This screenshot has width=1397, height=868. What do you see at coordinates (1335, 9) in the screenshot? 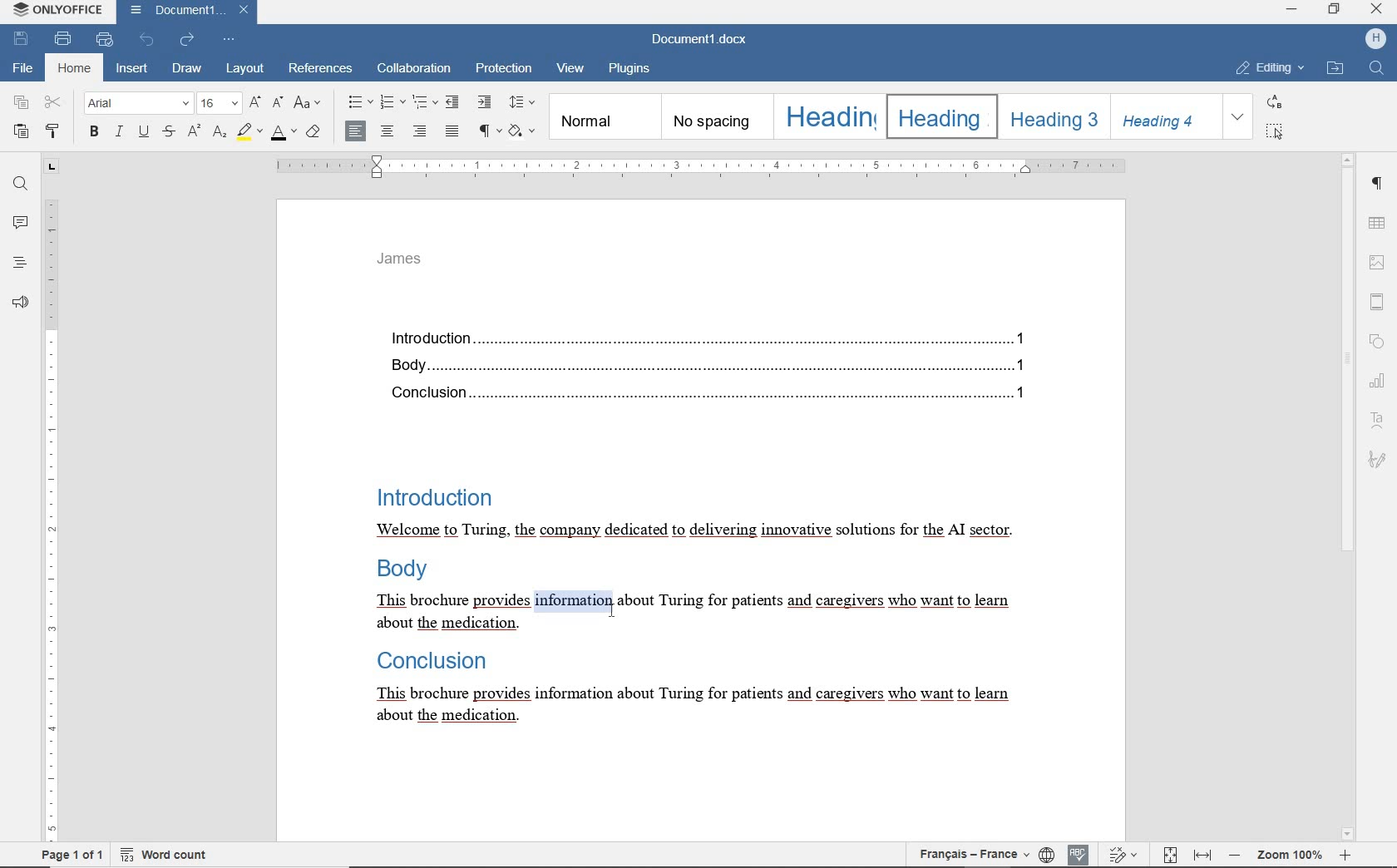
I see `RESTORE DOWN` at bounding box center [1335, 9].